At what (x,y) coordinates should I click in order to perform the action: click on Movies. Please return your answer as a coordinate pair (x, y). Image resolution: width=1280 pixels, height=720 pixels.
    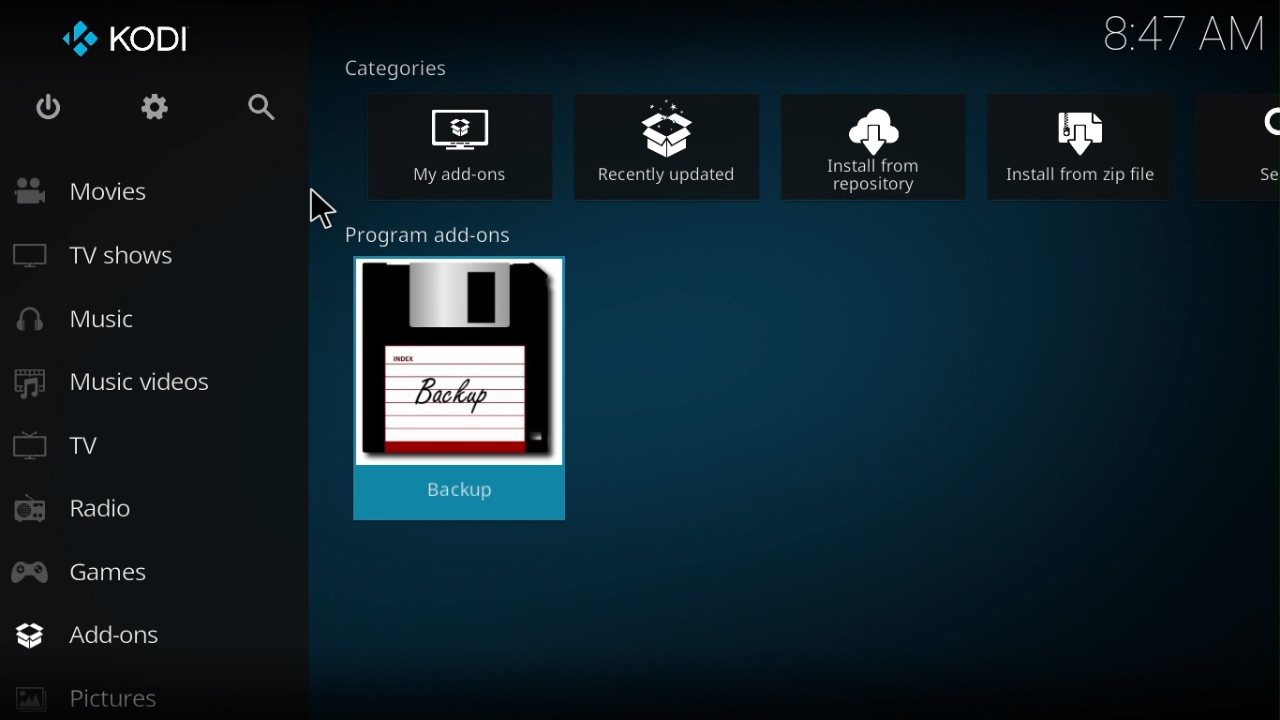
    Looking at the image, I should click on (128, 191).